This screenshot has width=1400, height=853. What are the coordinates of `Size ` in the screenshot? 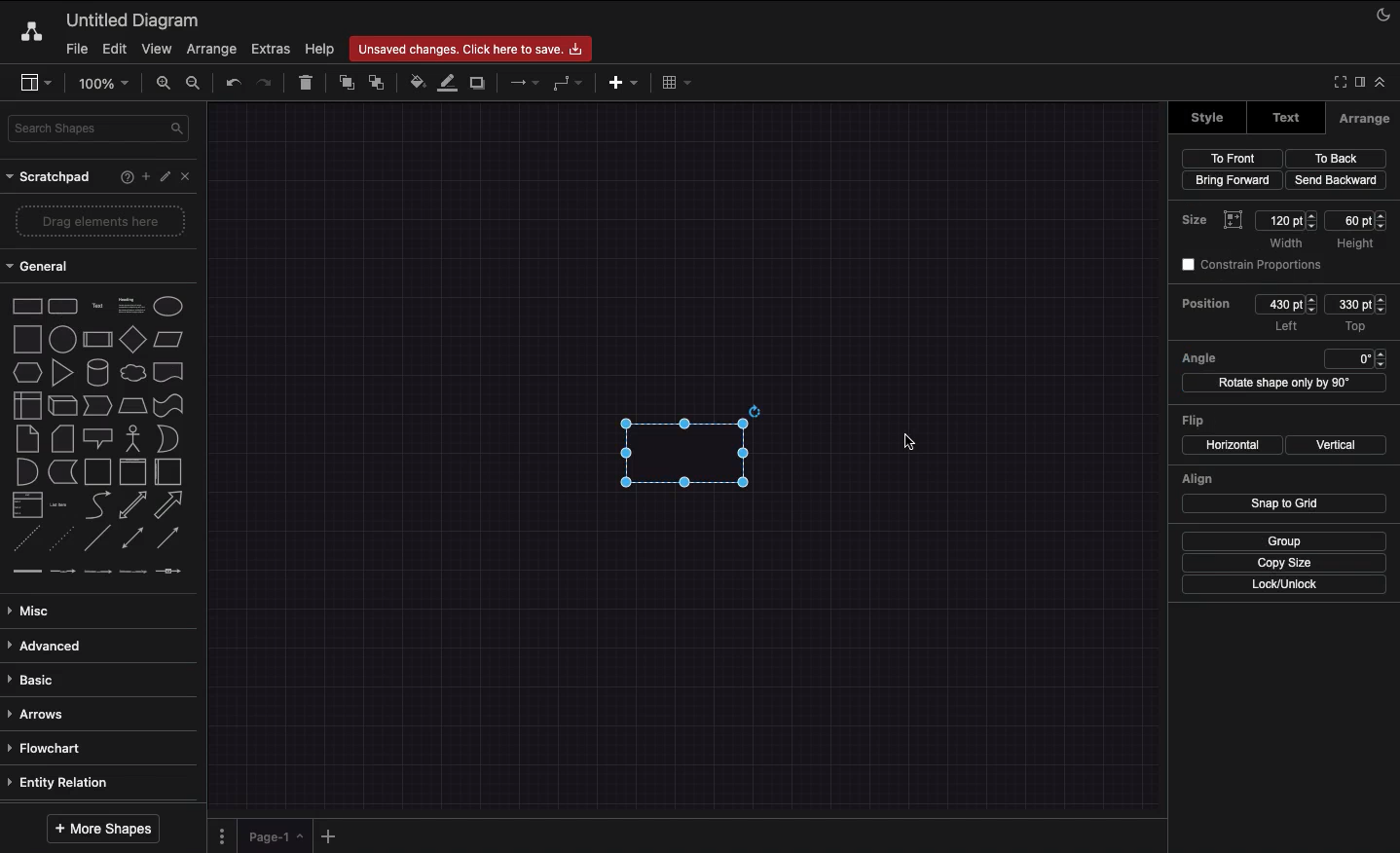 It's located at (1283, 230).